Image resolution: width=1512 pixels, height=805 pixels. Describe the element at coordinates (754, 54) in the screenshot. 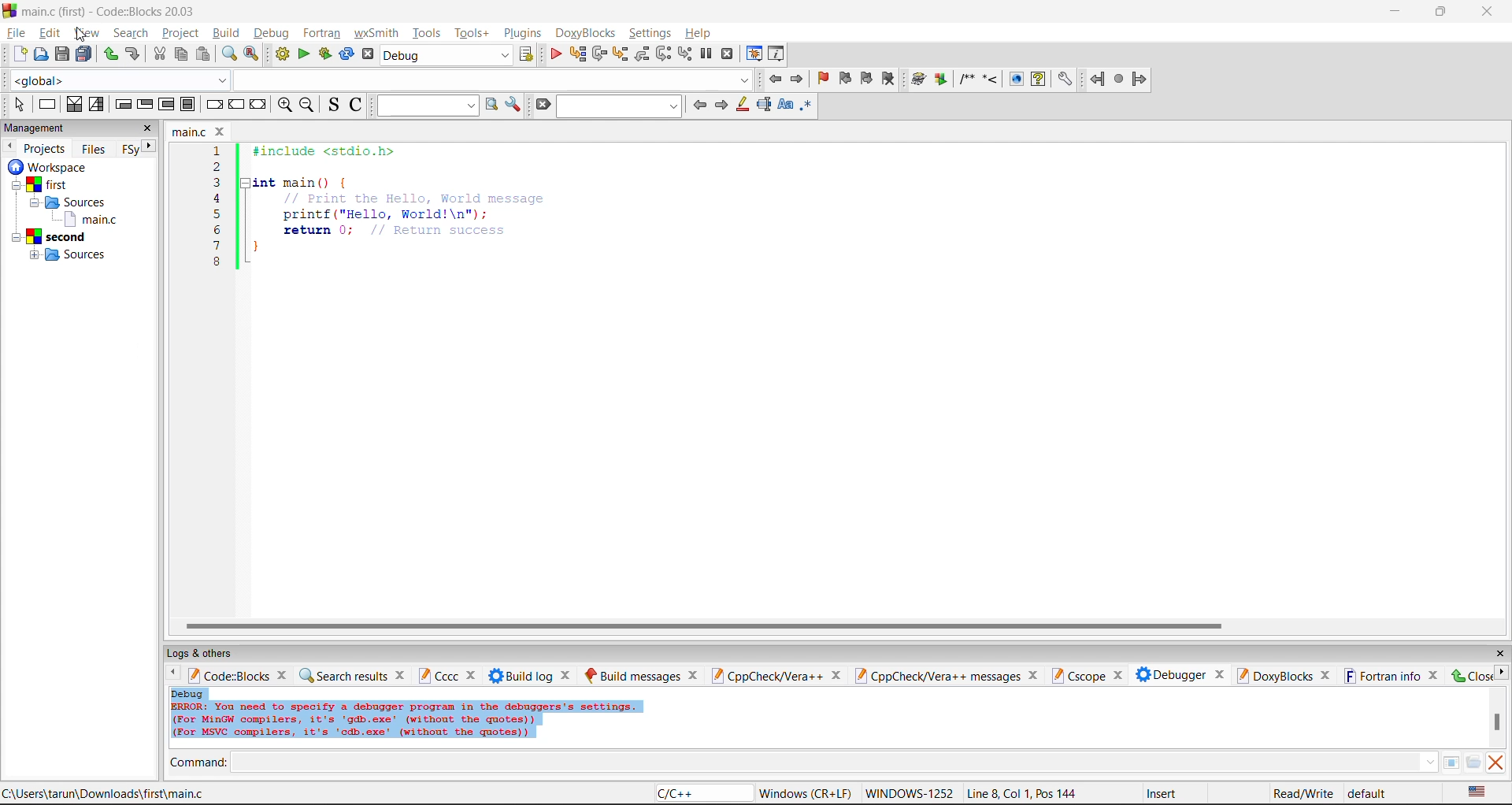

I see `debugging windows` at that location.